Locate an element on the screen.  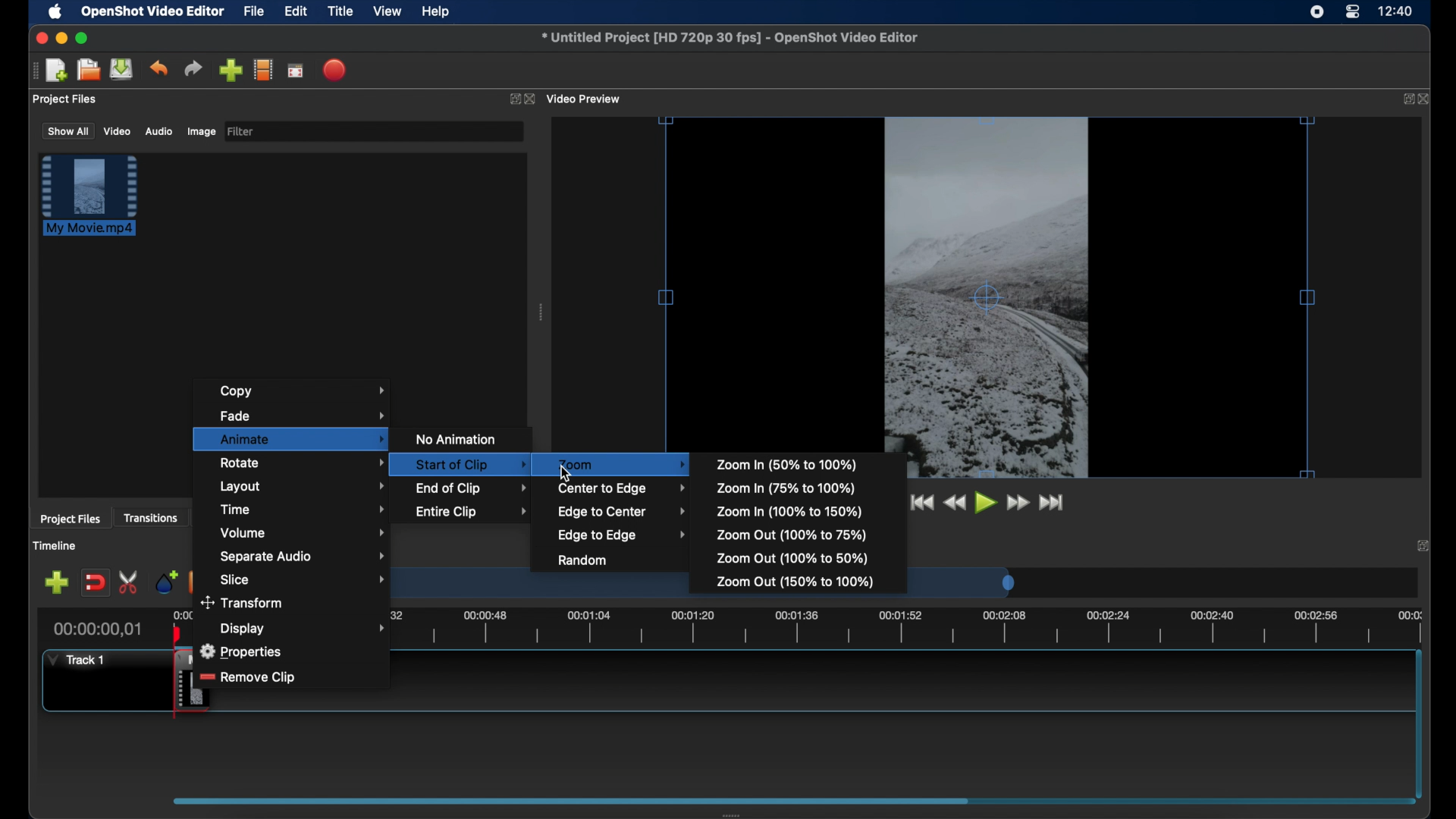
zoom out is located at coordinates (795, 582).